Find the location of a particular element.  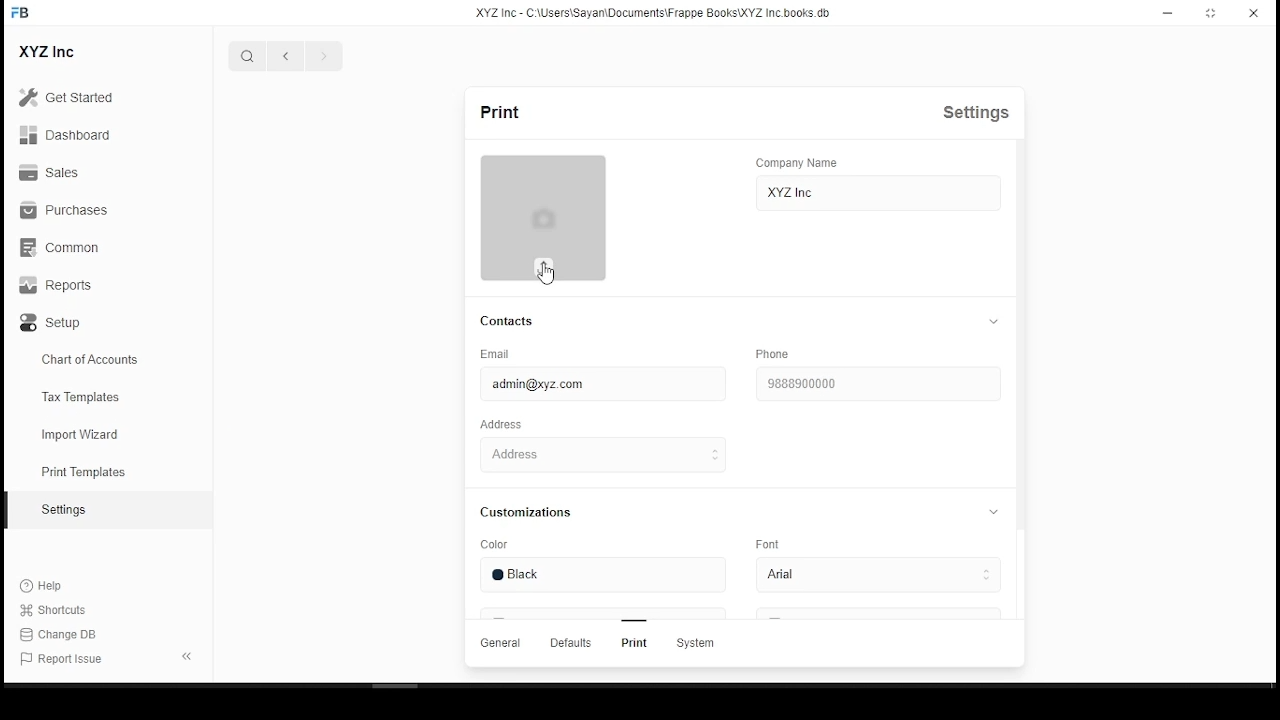

search is located at coordinates (245, 56).